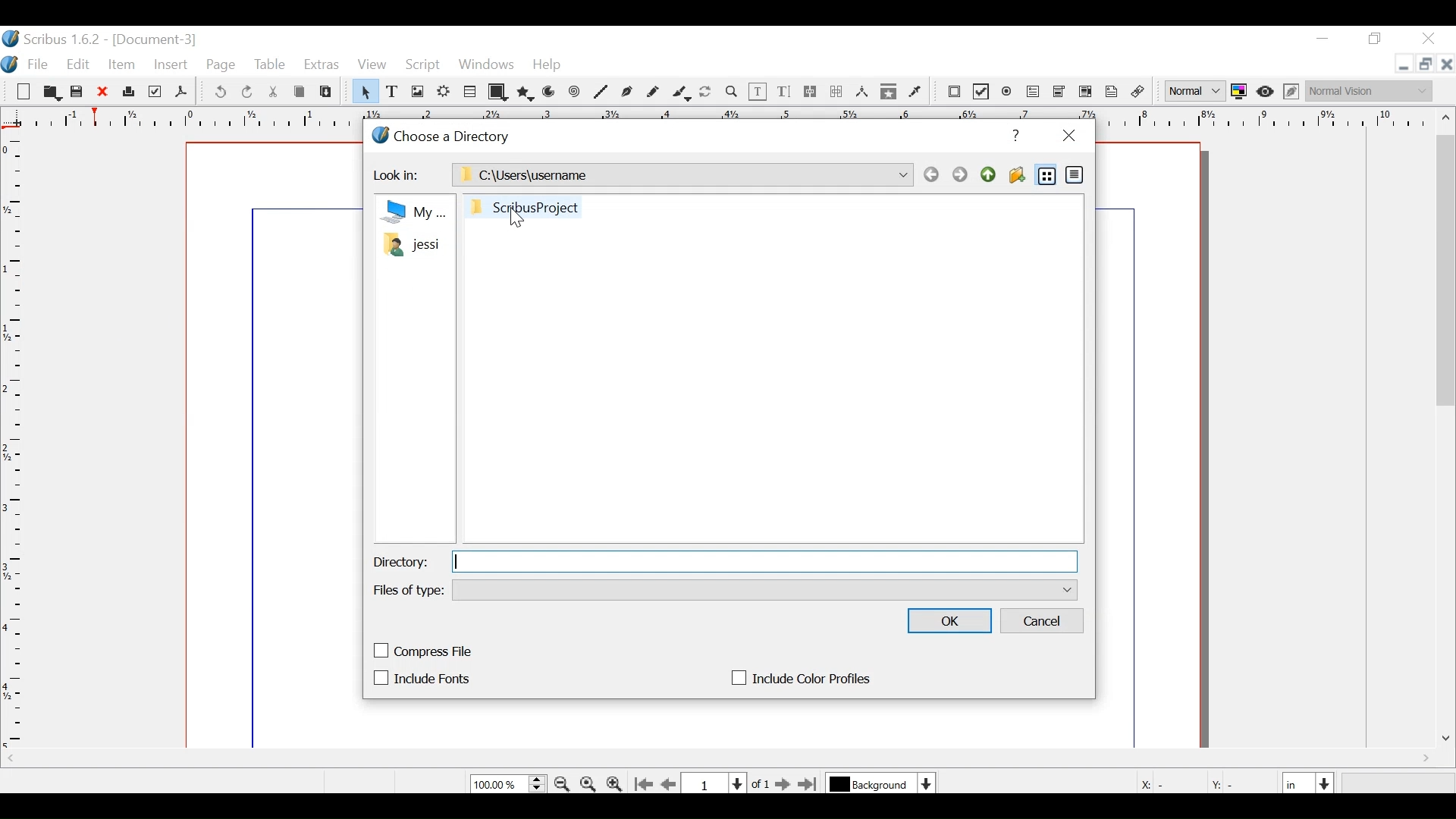 The width and height of the screenshot is (1456, 819). Describe the element at coordinates (915, 92) in the screenshot. I see `Eyedropper` at that location.